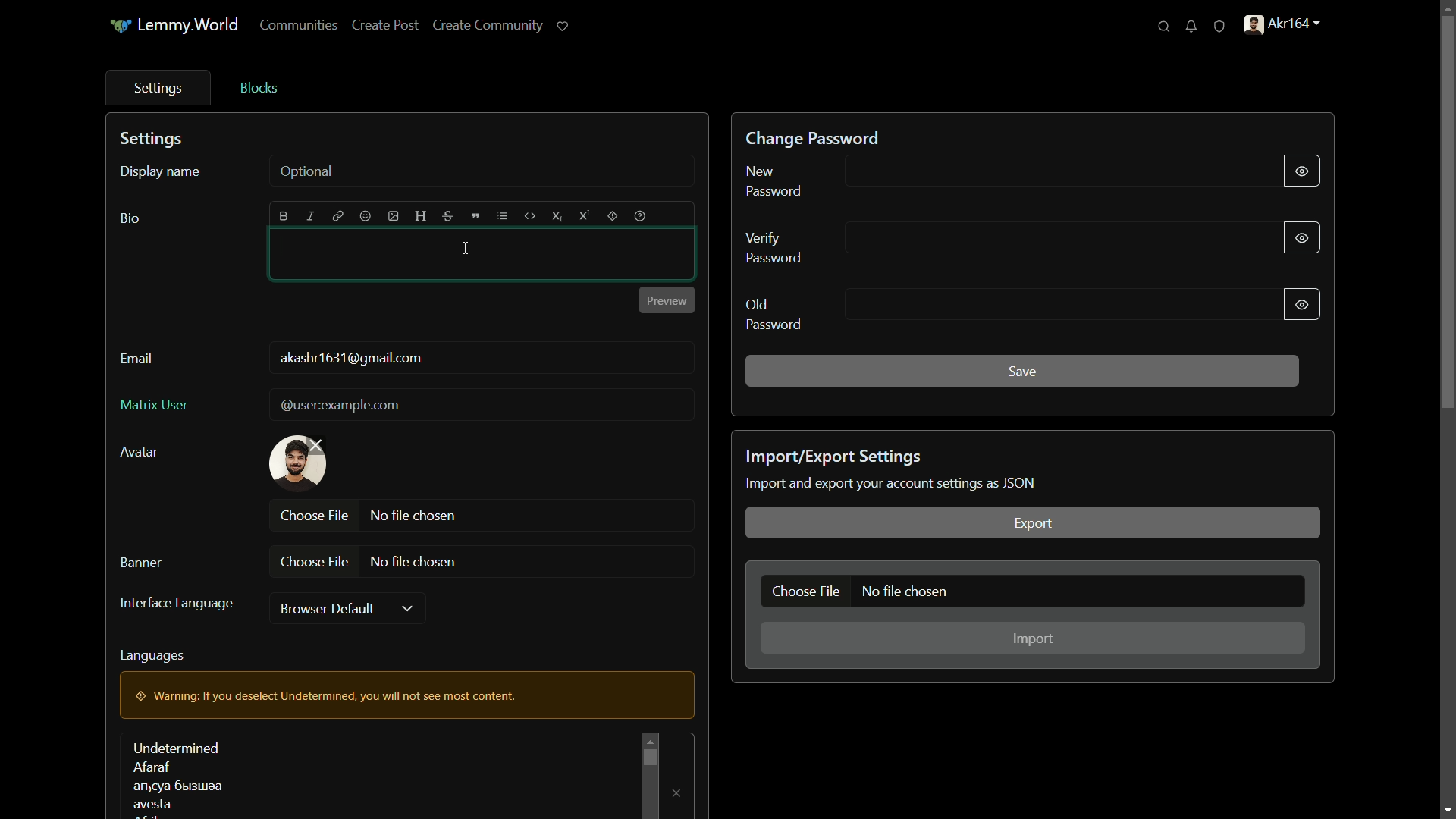 This screenshot has height=819, width=1456. I want to click on profile, so click(1284, 25).